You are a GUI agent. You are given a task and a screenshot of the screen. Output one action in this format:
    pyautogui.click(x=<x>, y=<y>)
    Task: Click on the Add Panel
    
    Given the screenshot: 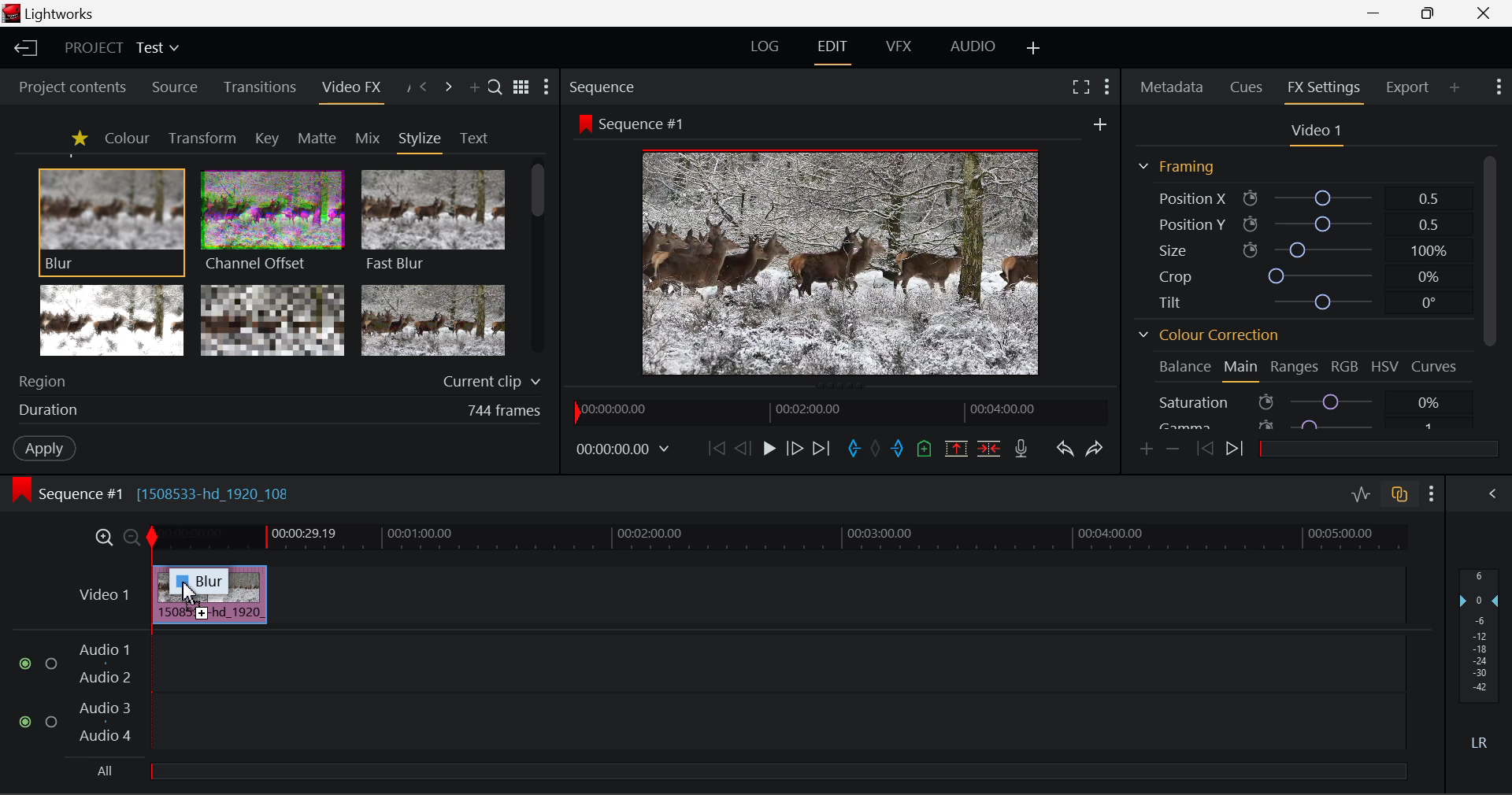 What is the action you would take?
    pyautogui.click(x=1455, y=89)
    